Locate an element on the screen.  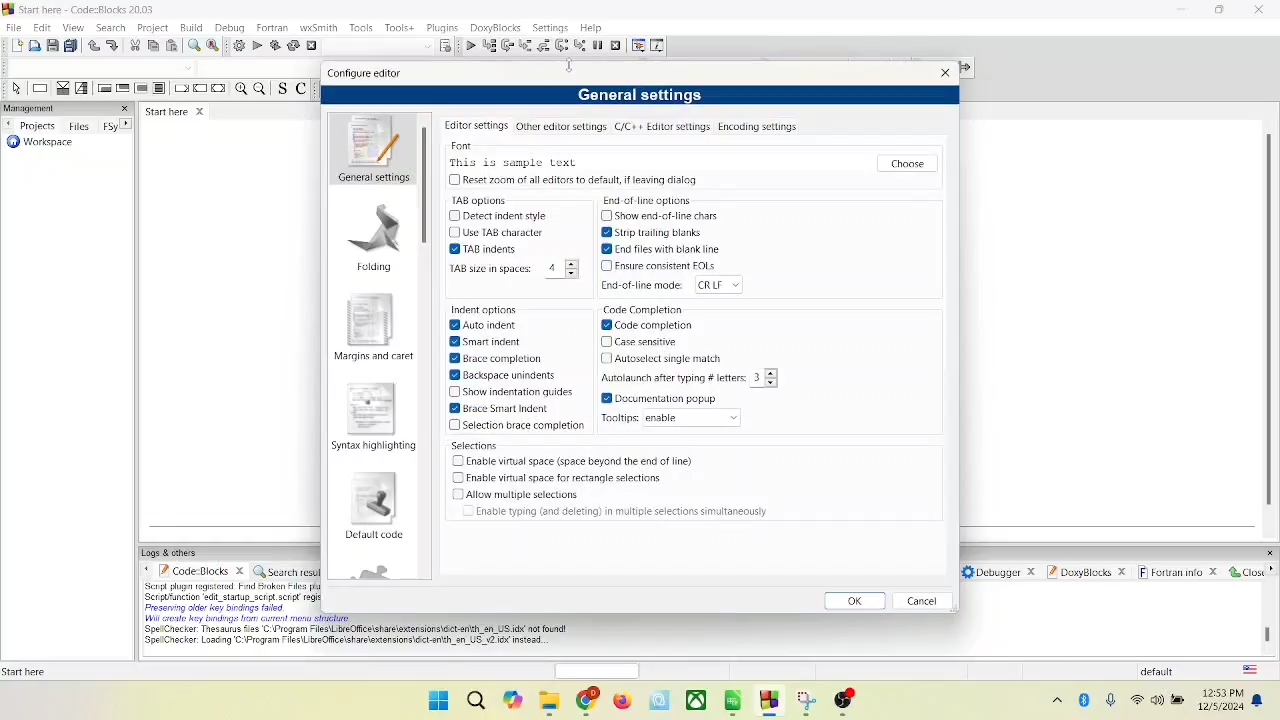
return instruction is located at coordinates (219, 89).